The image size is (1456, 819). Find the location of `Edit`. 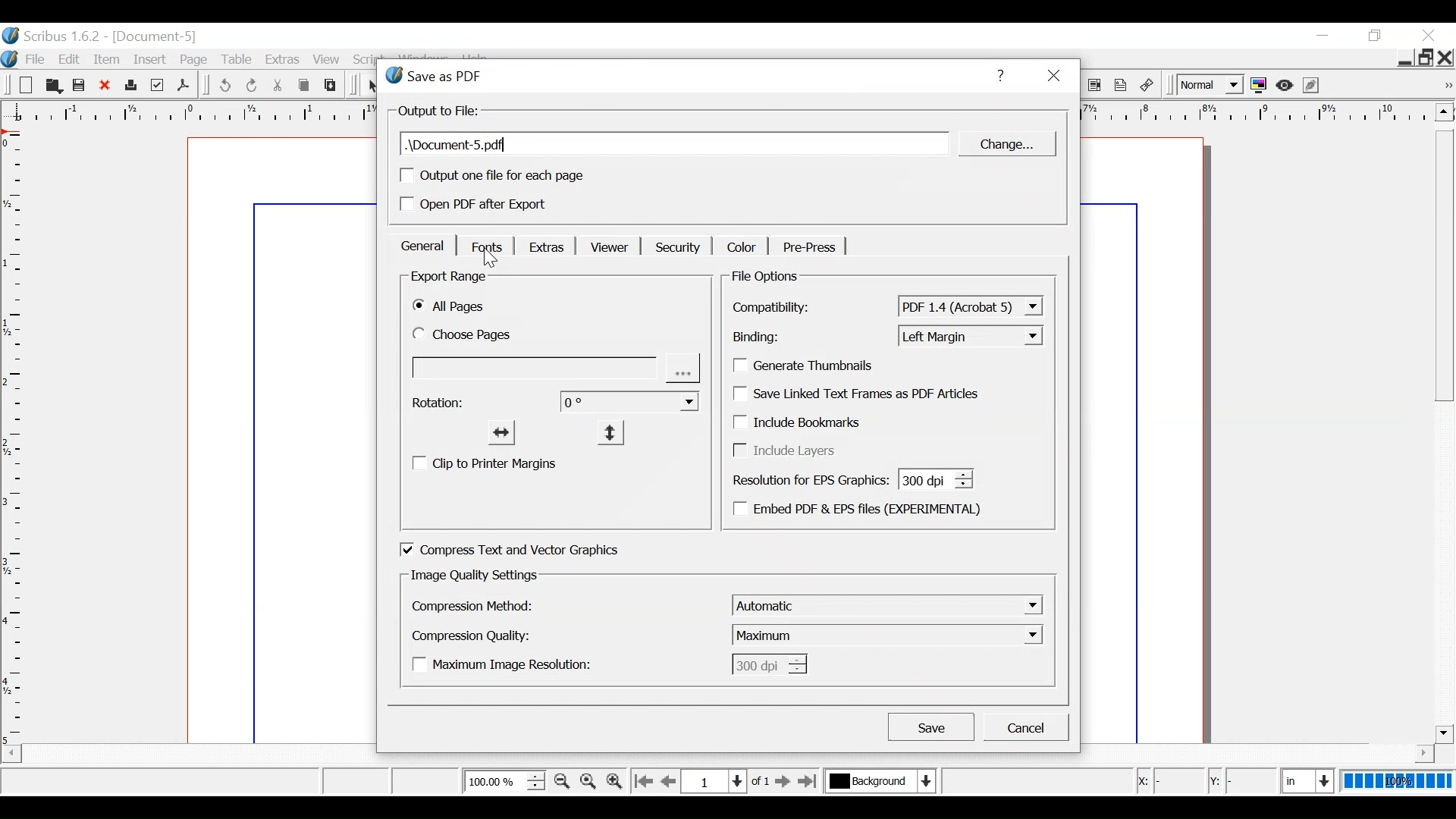

Edit is located at coordinates (71, 59).